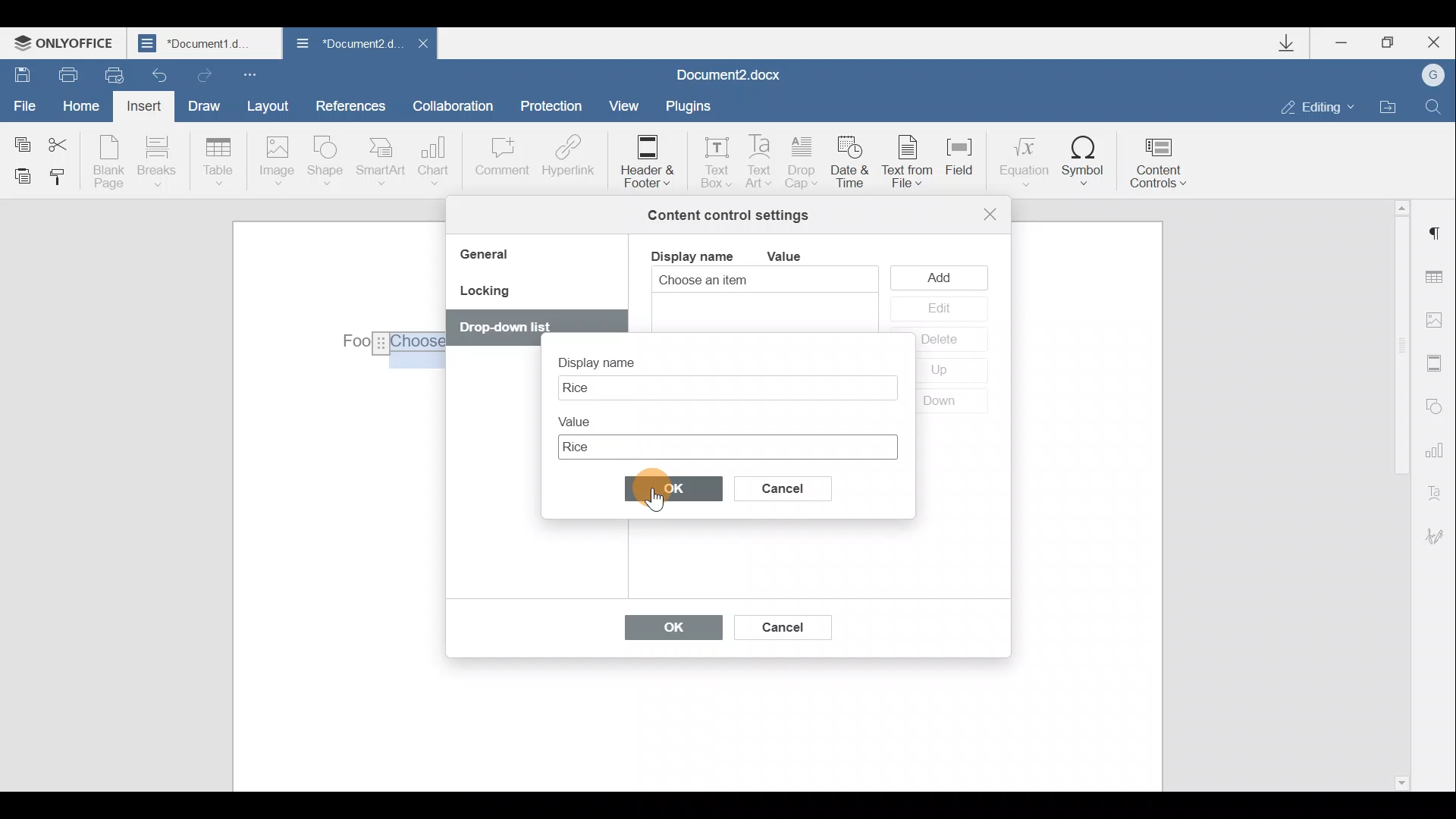 Image resolution: width=1456 pixels, height=819 pixels. What do you see at coordinates (675, 493) in the screenshot?
I see `OK` at bounding box center [675, 493].